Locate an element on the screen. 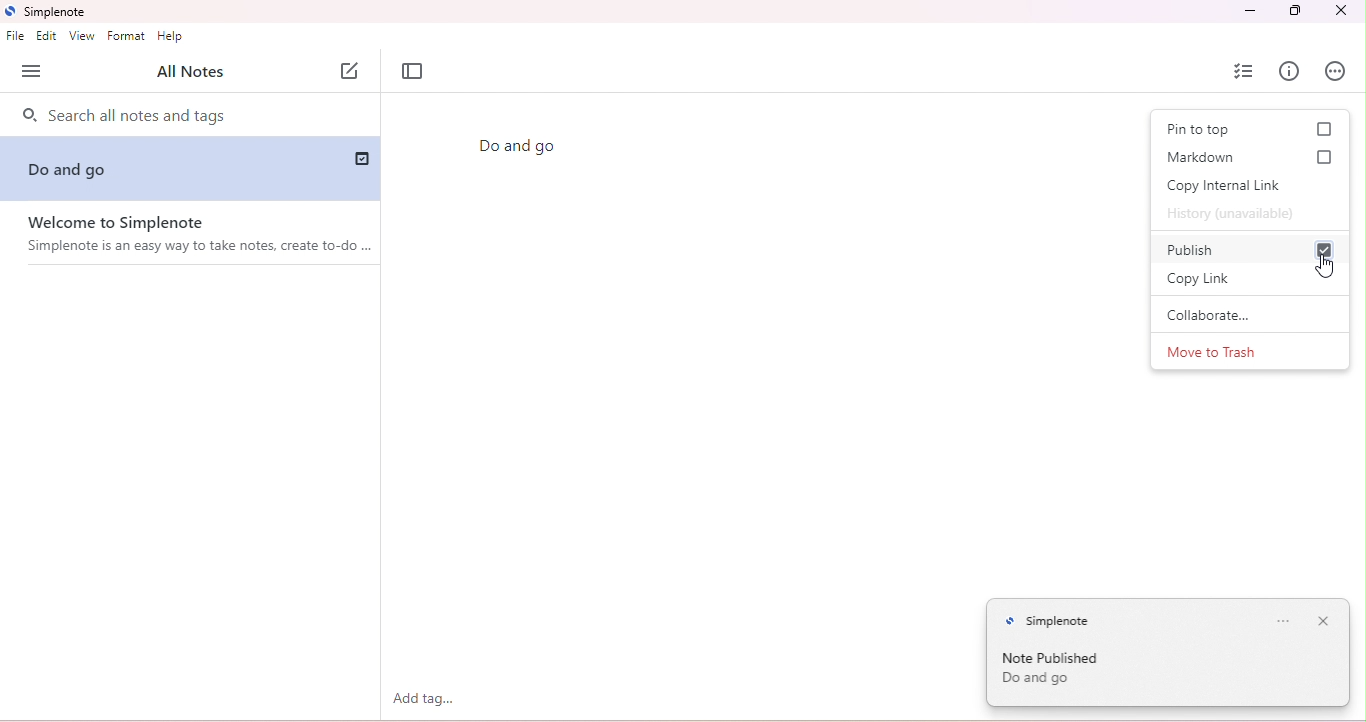  search notes and tags is located at coordinates (189, 118).